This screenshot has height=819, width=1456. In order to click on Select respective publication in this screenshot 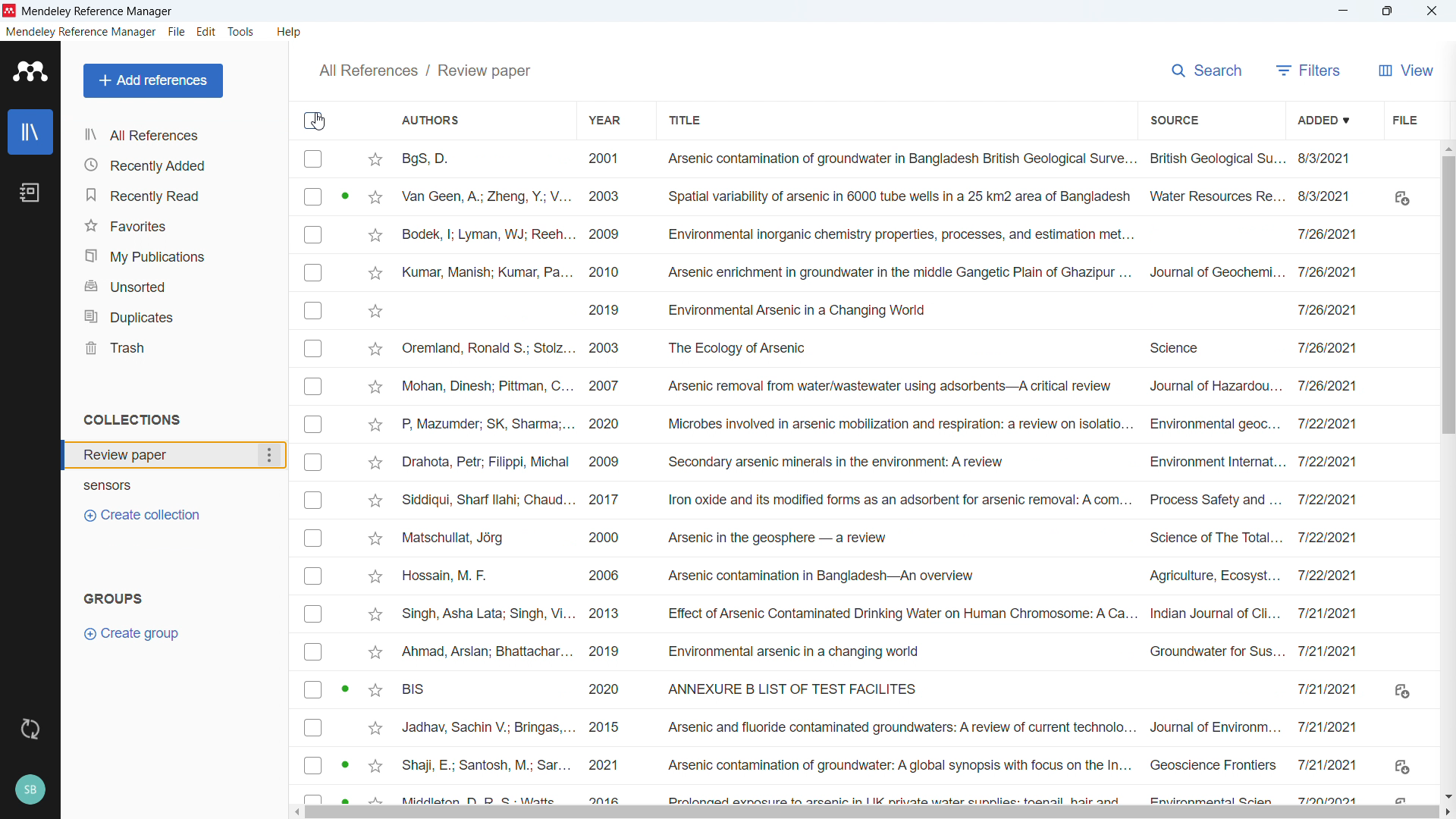, I will do `click(312, 576)`.